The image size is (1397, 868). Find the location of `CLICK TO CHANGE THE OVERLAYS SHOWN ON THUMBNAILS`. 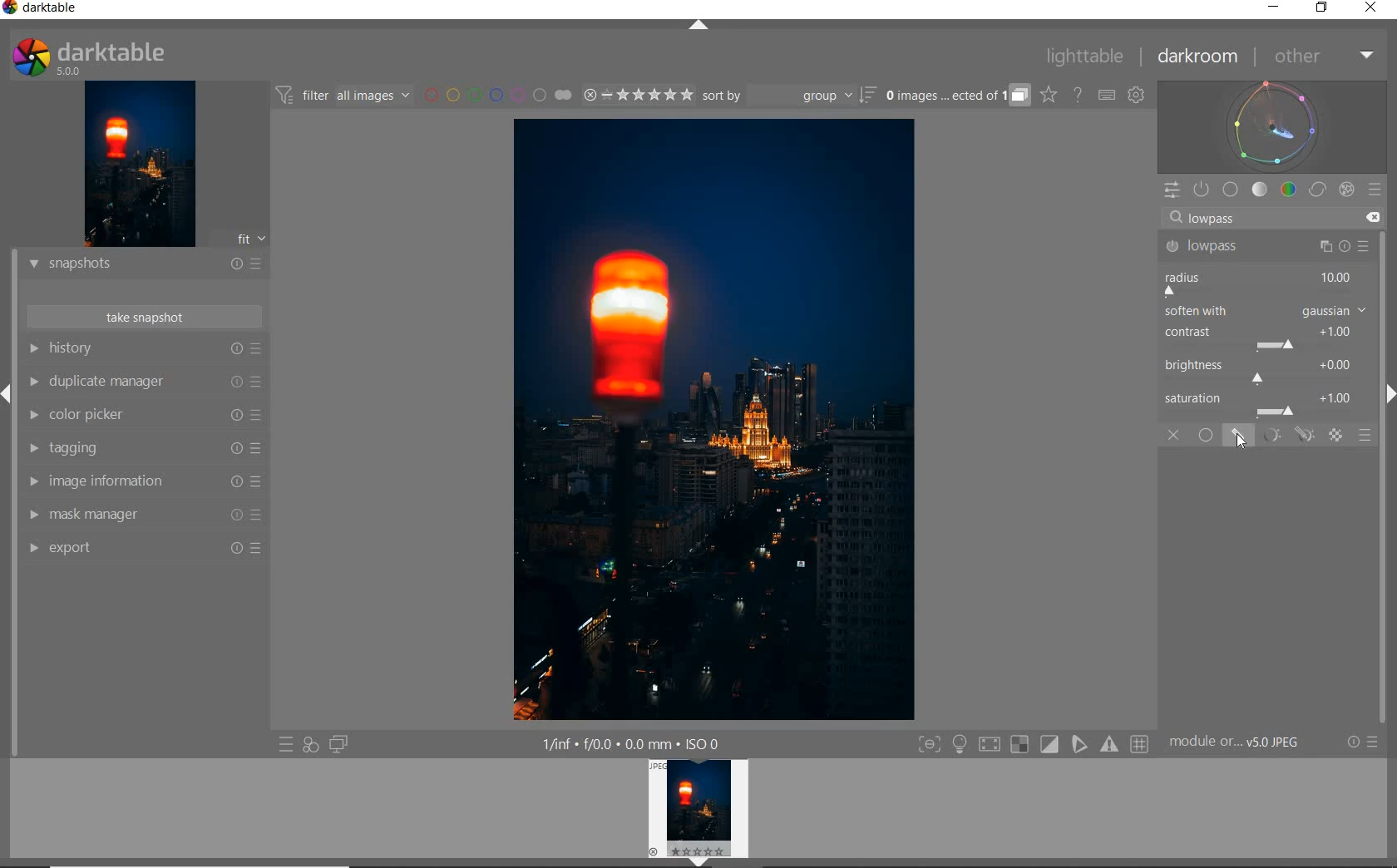

CLICK TO CHANGE THE OVERLAYS SHOWN ON THUMBNAILS is located at coordinates (1048, 96).